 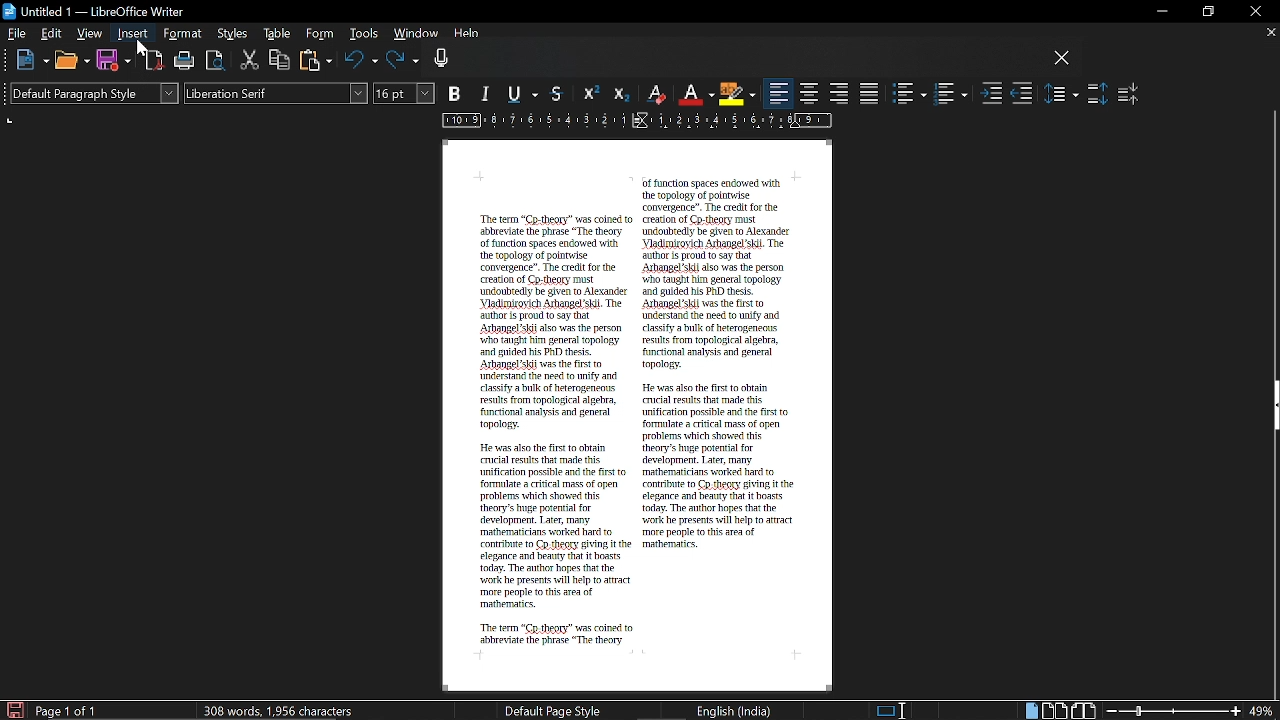 What do you see at coordinates (414, 35) in the screenshot?
I see `Window` at bounding box center [414, 35].